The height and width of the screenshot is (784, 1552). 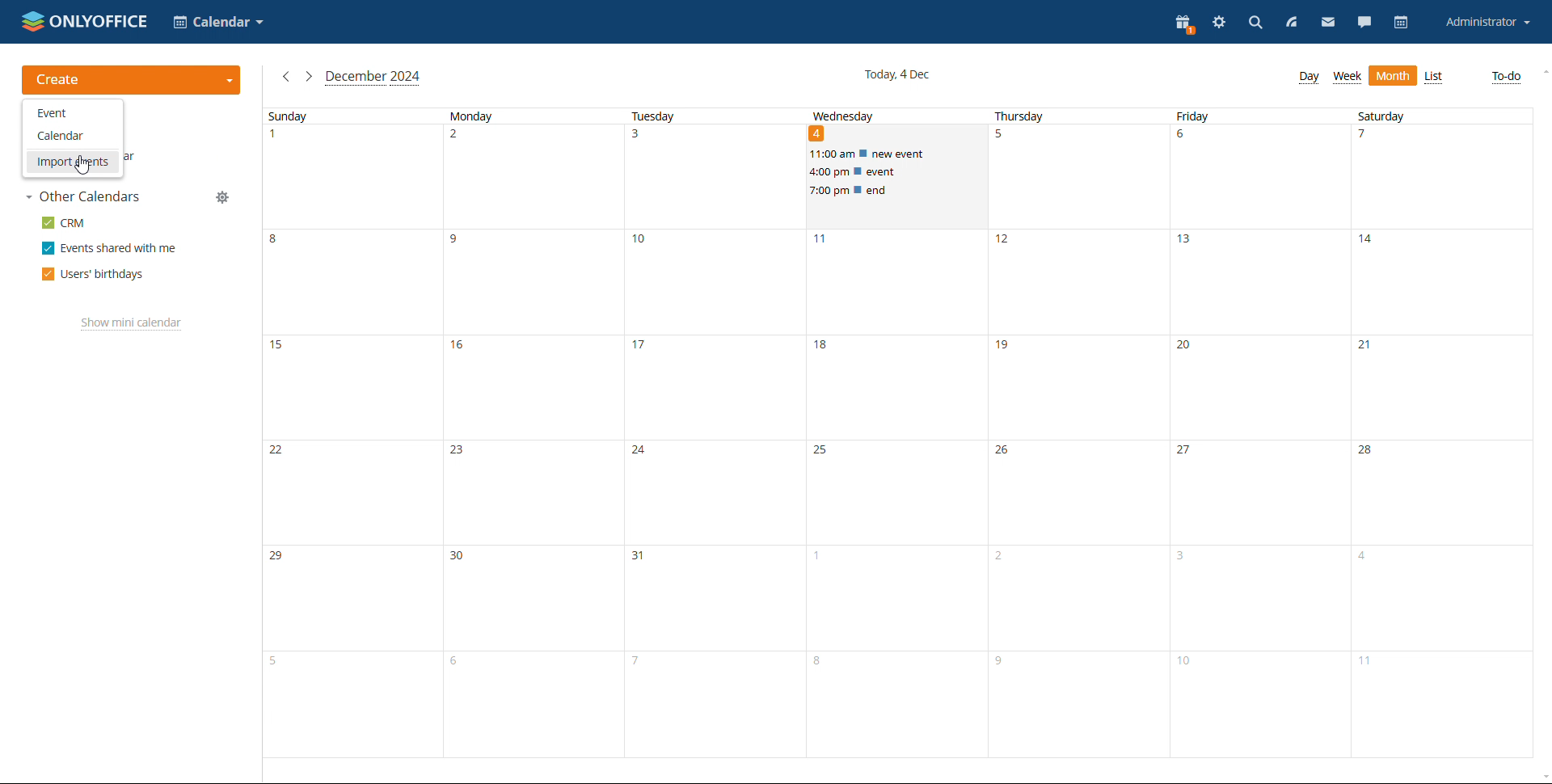 What do you see at coordinates (1347, 78) in the screenshot?
I see `week` at bounding box center [1347, 78].